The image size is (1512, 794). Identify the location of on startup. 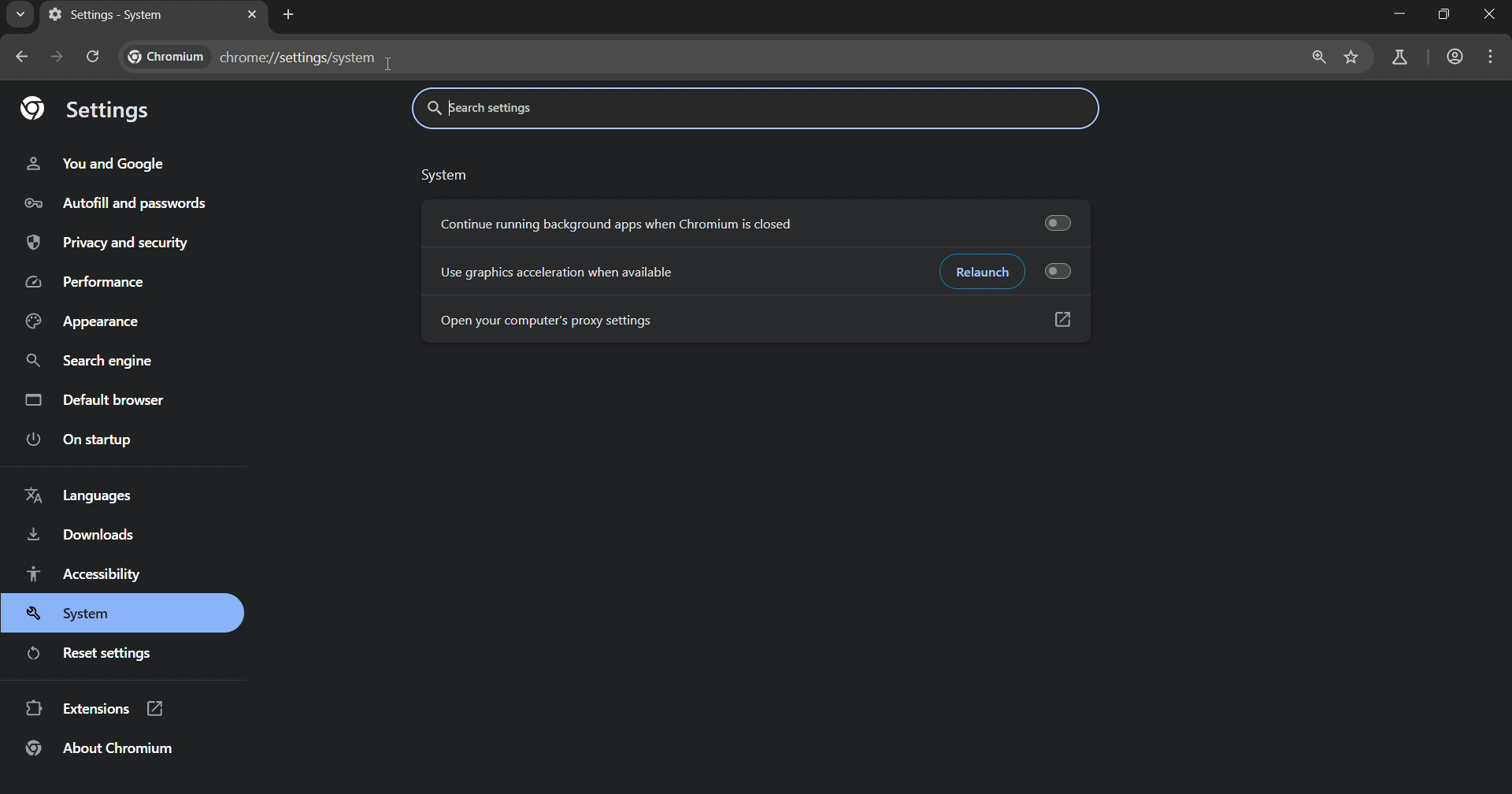
(83, 441).